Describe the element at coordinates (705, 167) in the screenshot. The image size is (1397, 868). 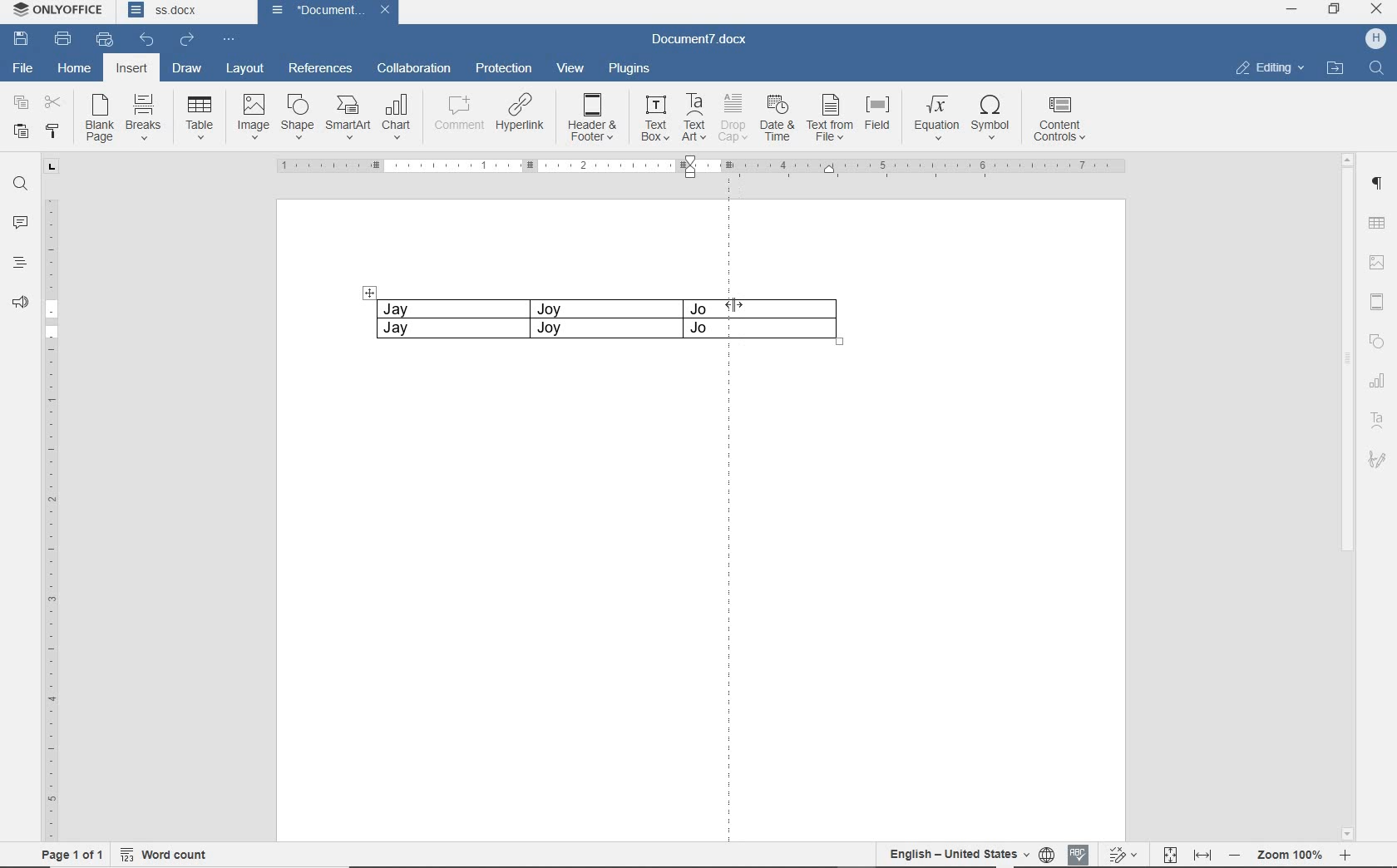
I see `RULER` at that location.